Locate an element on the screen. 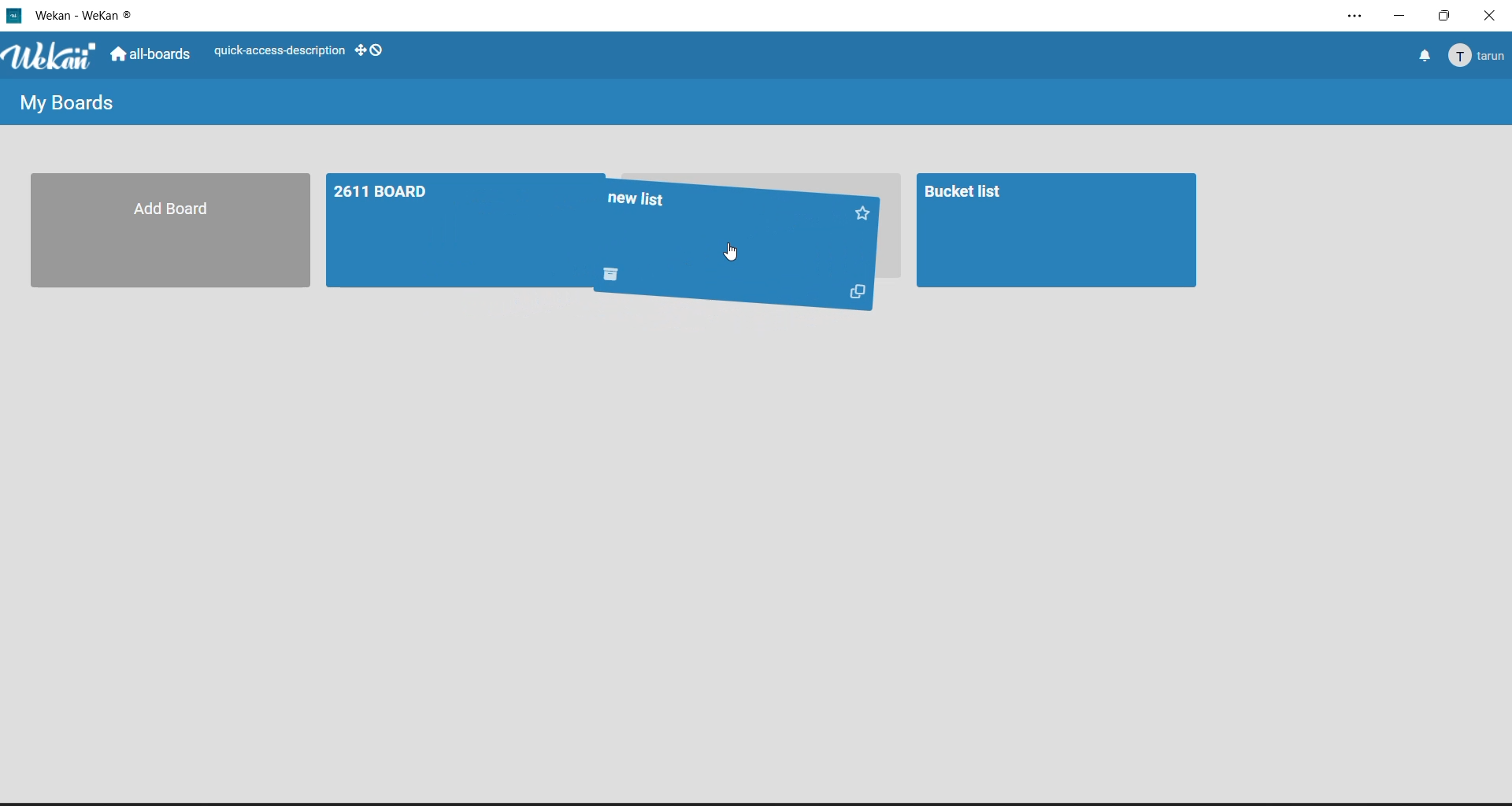  all boards is located at coordinates (154, 57).